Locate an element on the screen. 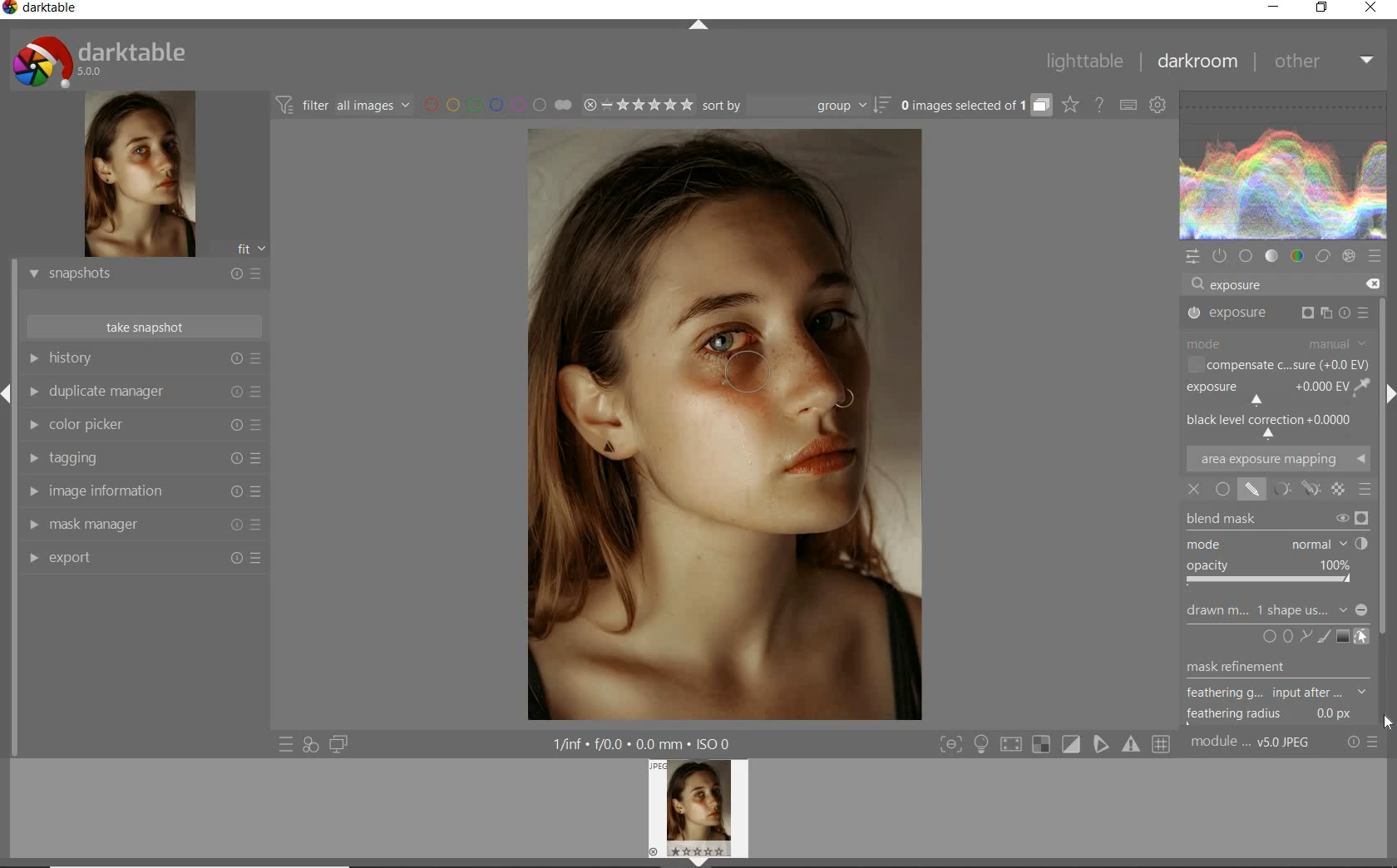 Image resolution: width=1397 pixels, height=868 pixels. CURSOR POSITION is located at coordinates (1387, 720).